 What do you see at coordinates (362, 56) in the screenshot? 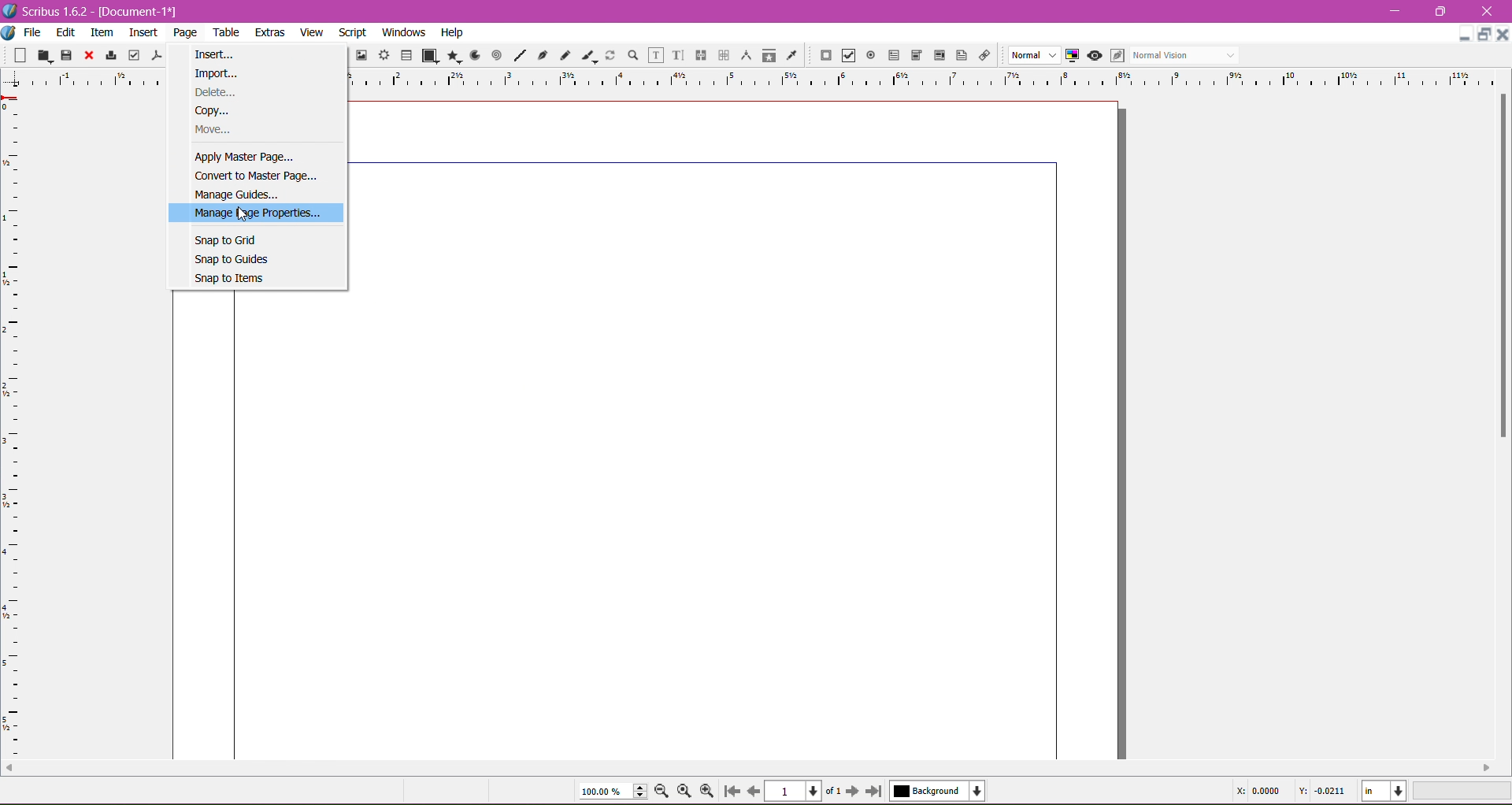
I see `Image Frame` at bounding box center [362, 56].